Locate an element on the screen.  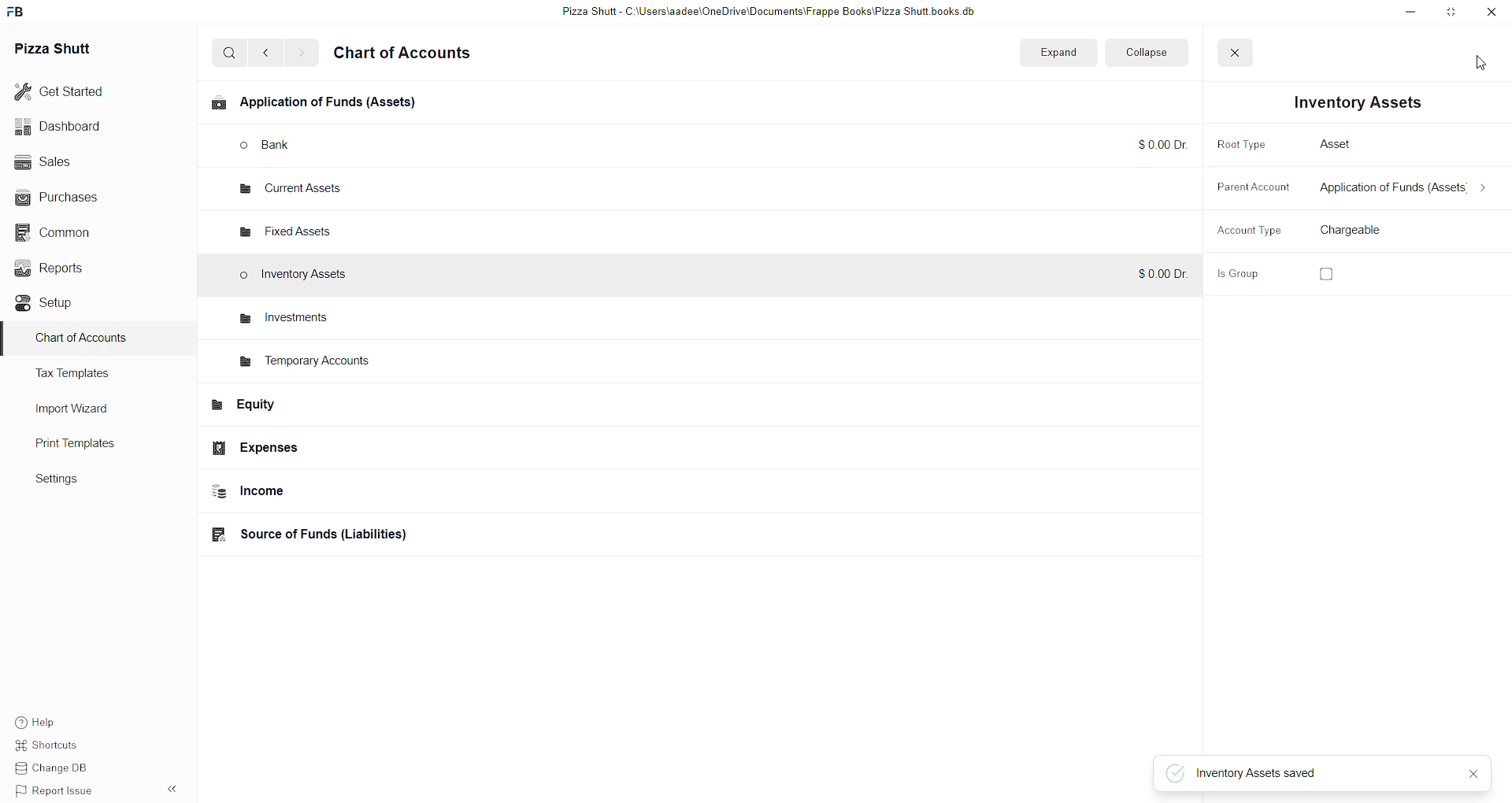
Tax Templates  is located at coordinates (92, 376).